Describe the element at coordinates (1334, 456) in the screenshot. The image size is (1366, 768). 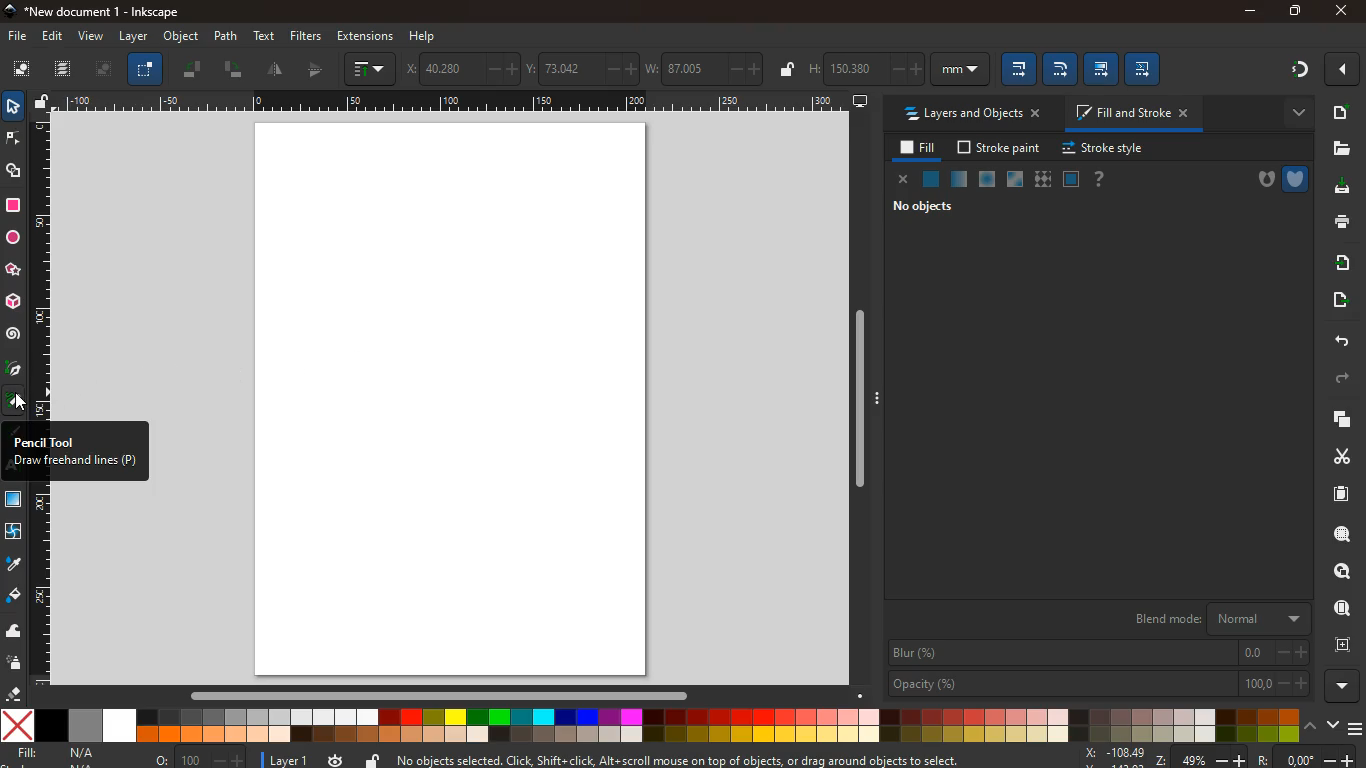
I see `cut` at that location.